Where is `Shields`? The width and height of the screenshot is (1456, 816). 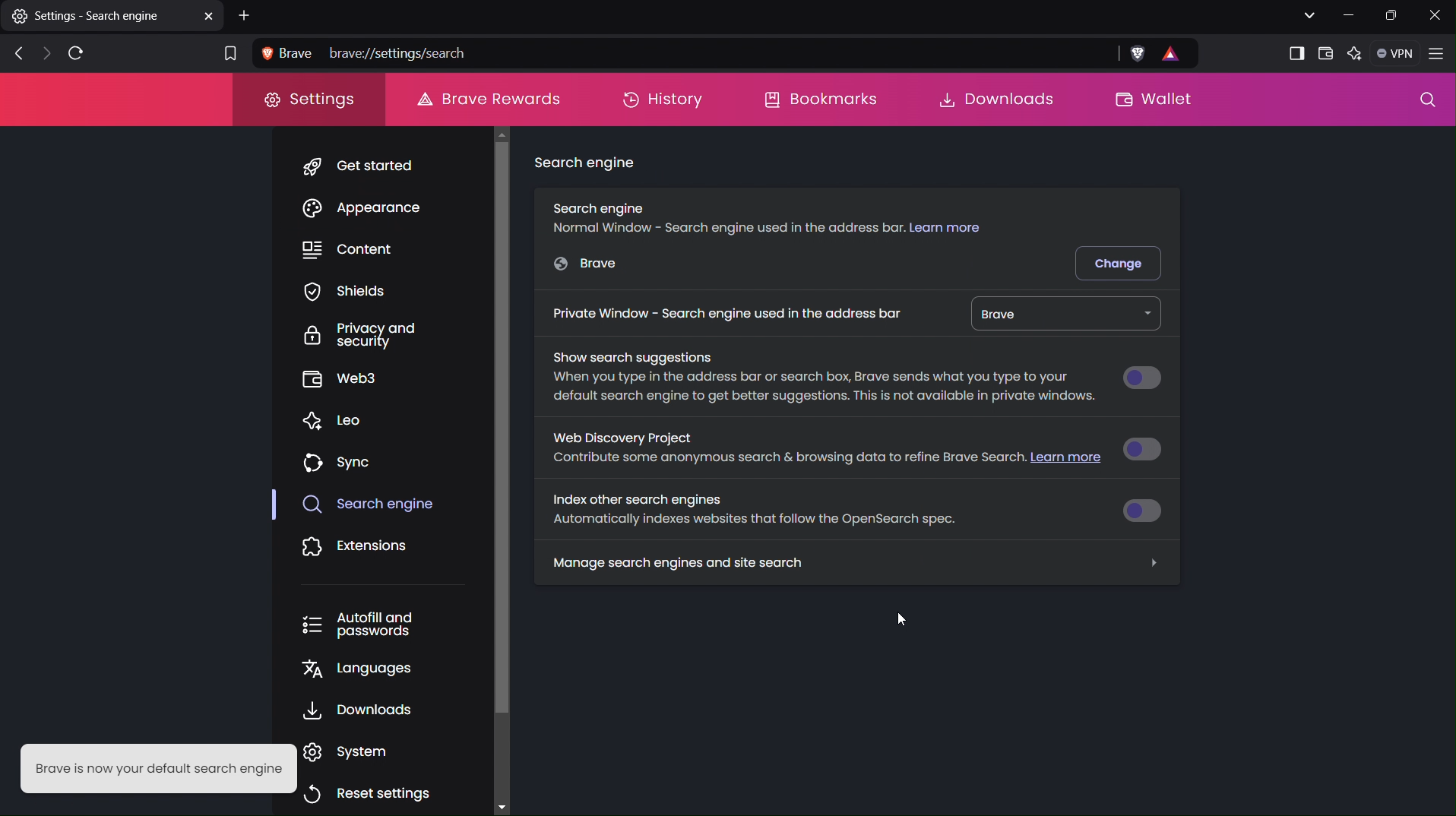
Shields is located at coordinates (344, 294).